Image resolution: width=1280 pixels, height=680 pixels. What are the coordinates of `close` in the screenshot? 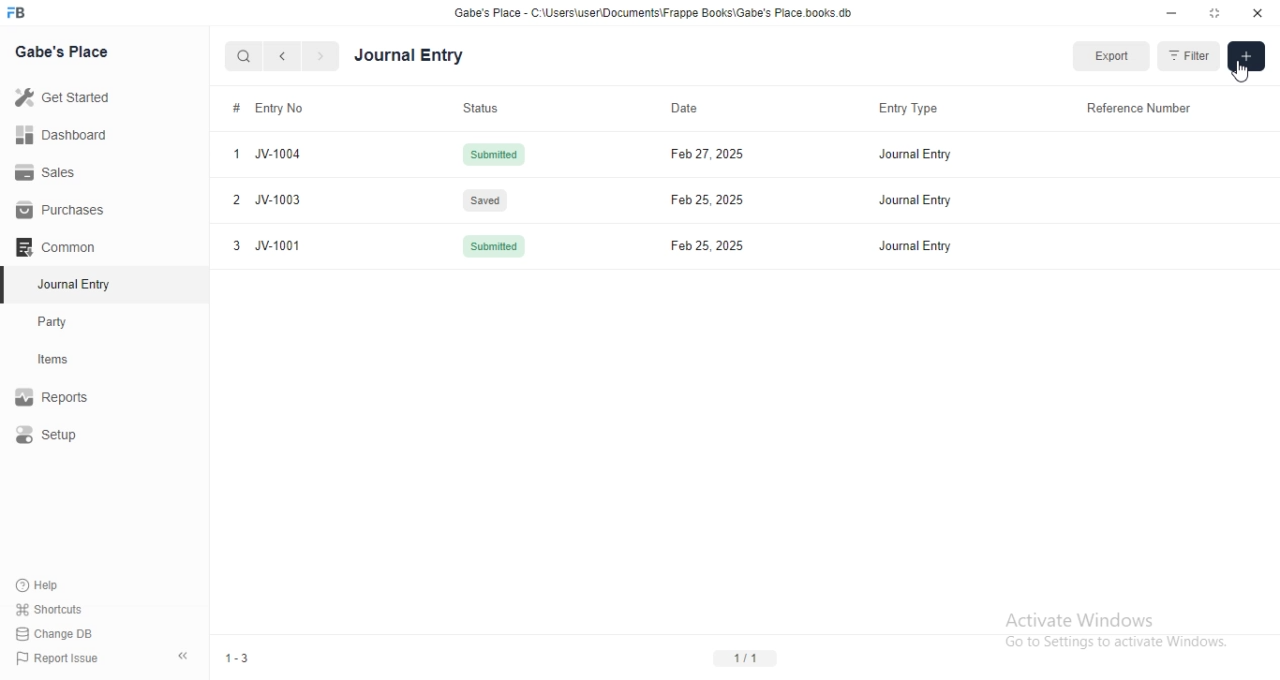 It's located at (1258, 14).